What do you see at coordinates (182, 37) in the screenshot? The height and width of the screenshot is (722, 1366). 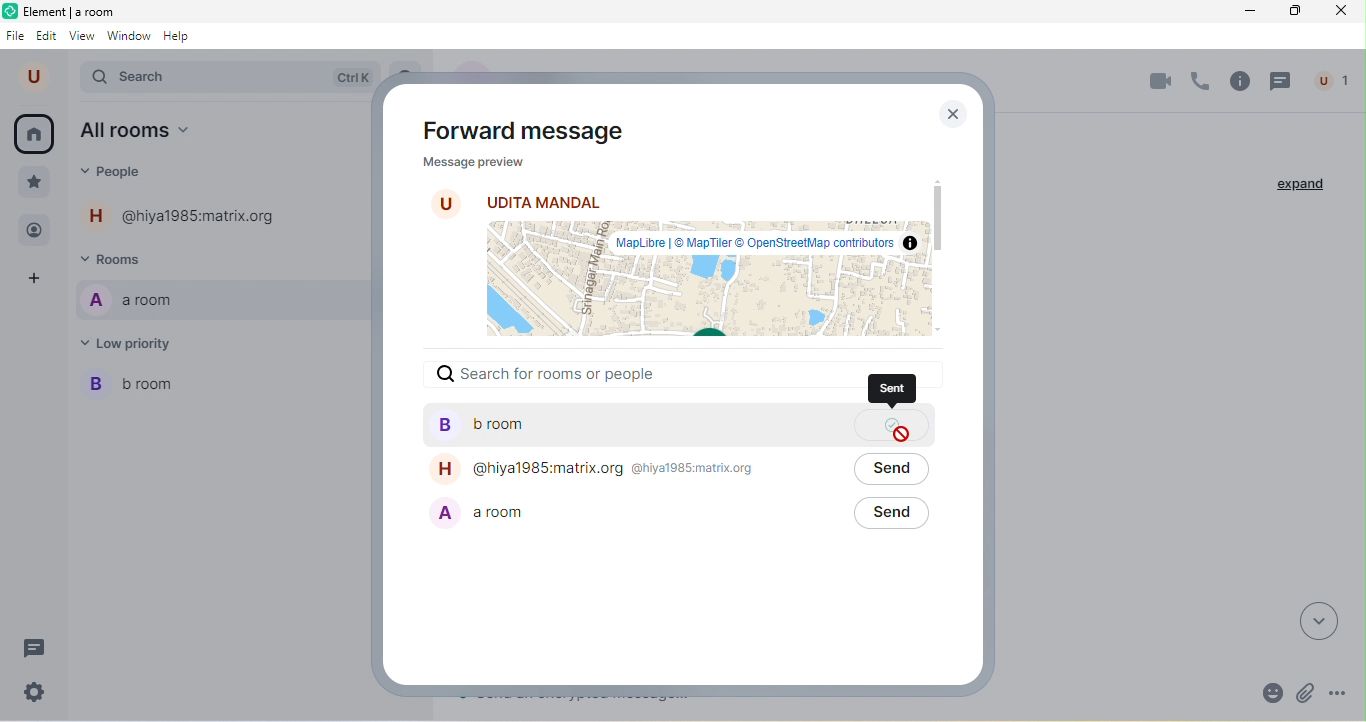 I see `help` at bounding box center [182, 37].